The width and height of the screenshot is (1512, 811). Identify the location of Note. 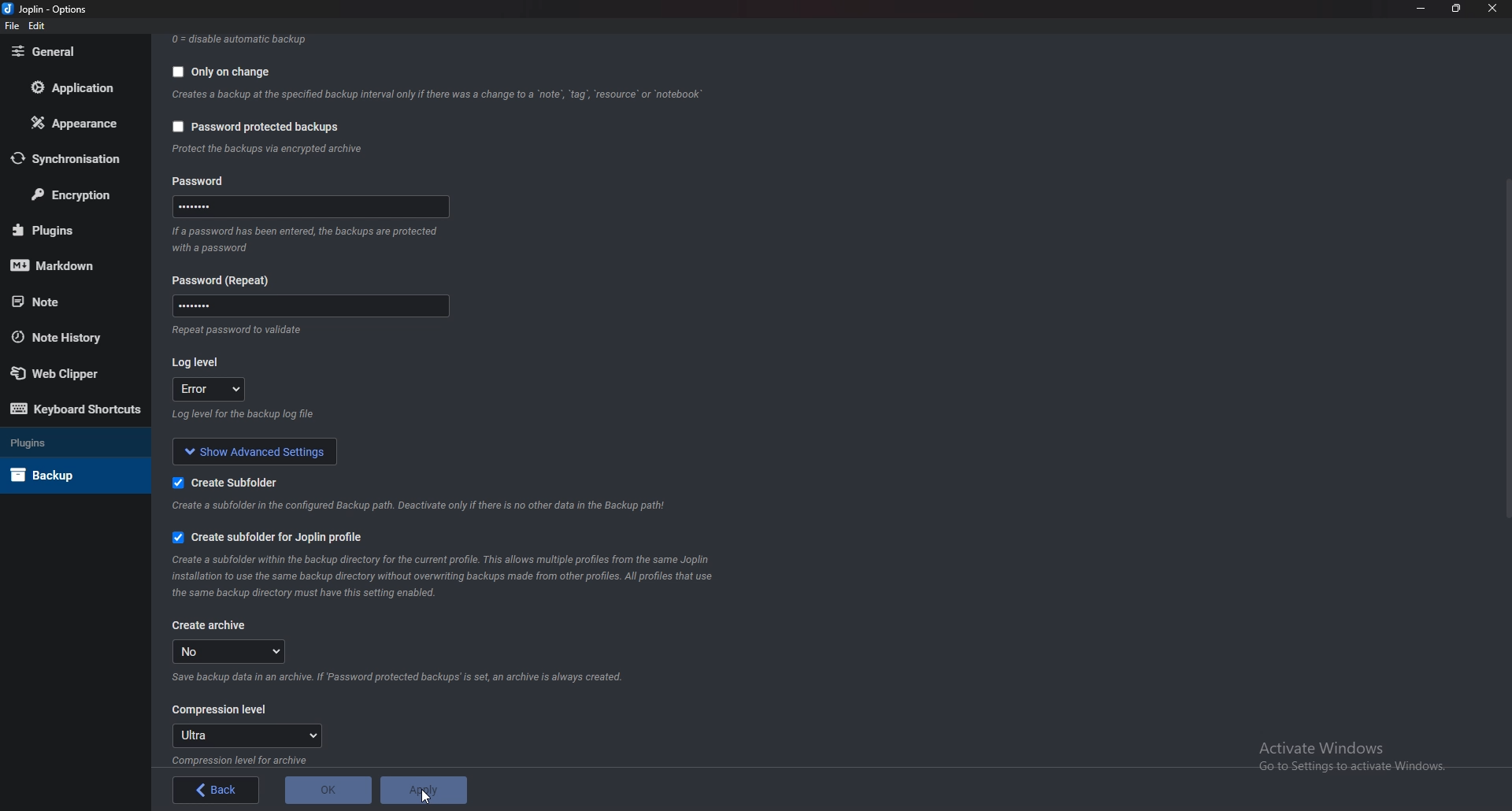
(70, 300).